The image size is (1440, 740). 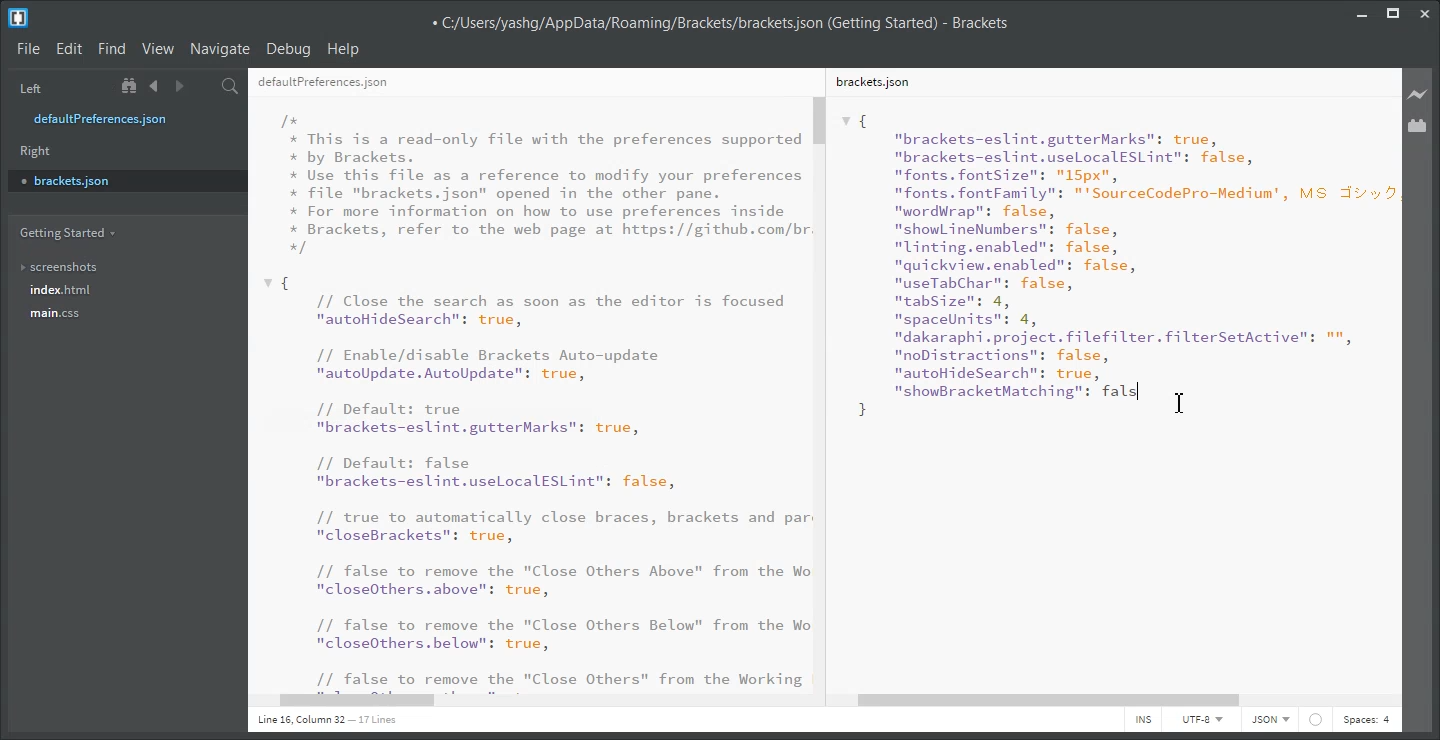 I want to click on brackets.json, so click(x=871, y=81).